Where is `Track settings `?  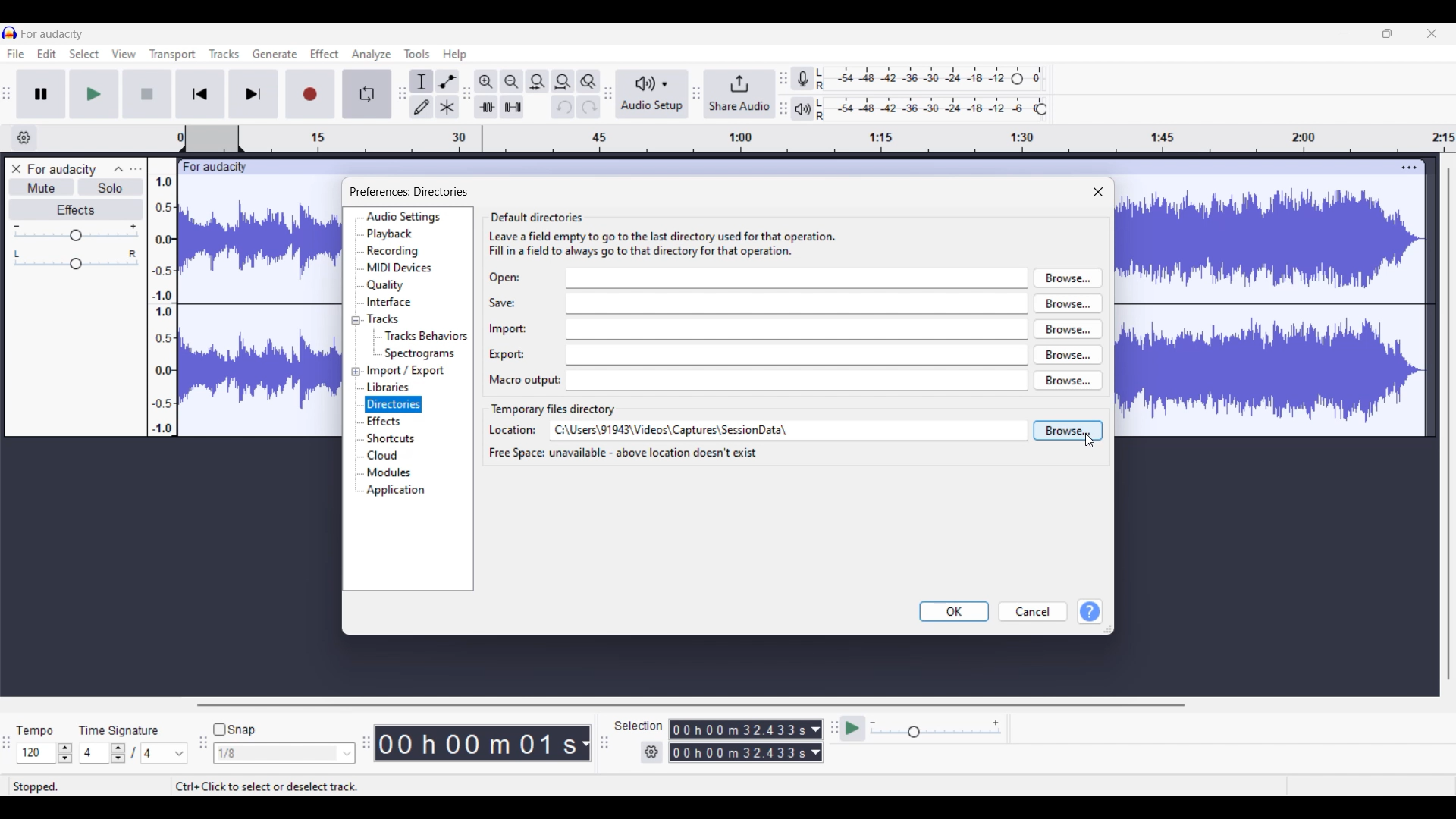
Track settings  is located at coordinates (1410, 168).